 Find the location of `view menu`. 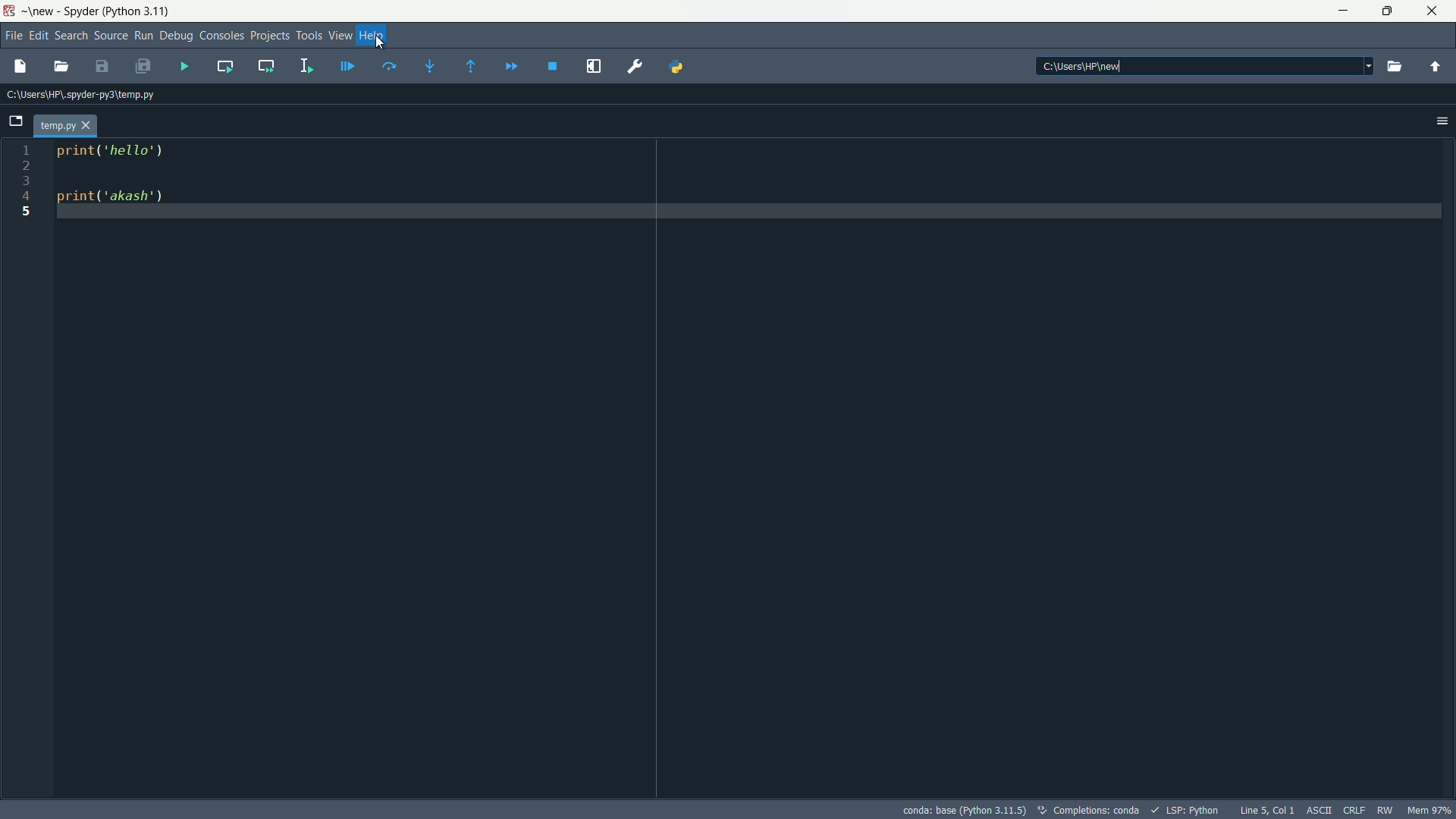

view menu is located at coordinates (343, 36).